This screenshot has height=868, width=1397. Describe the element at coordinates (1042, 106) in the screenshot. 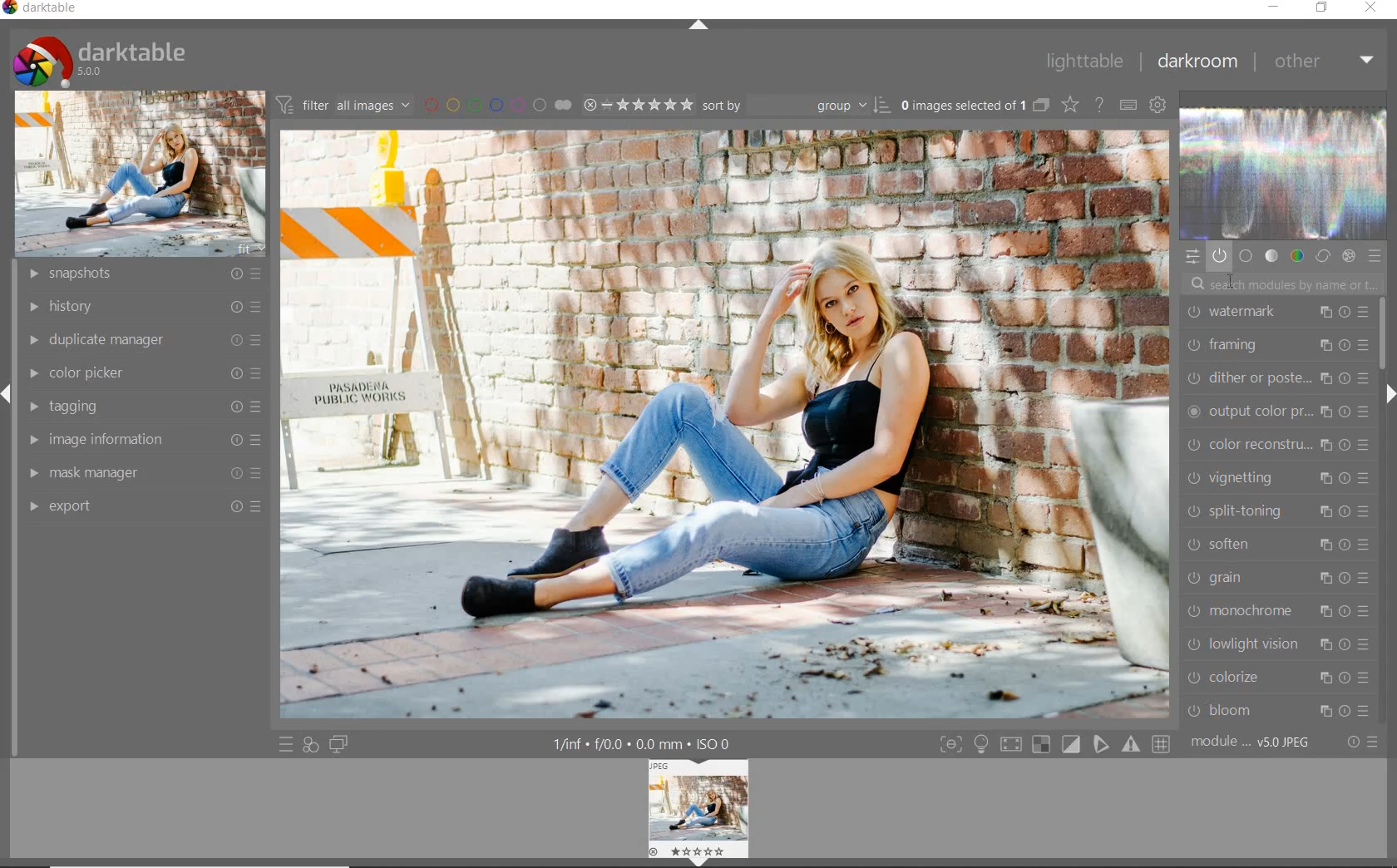

I see `collapse grouped images` at that location.